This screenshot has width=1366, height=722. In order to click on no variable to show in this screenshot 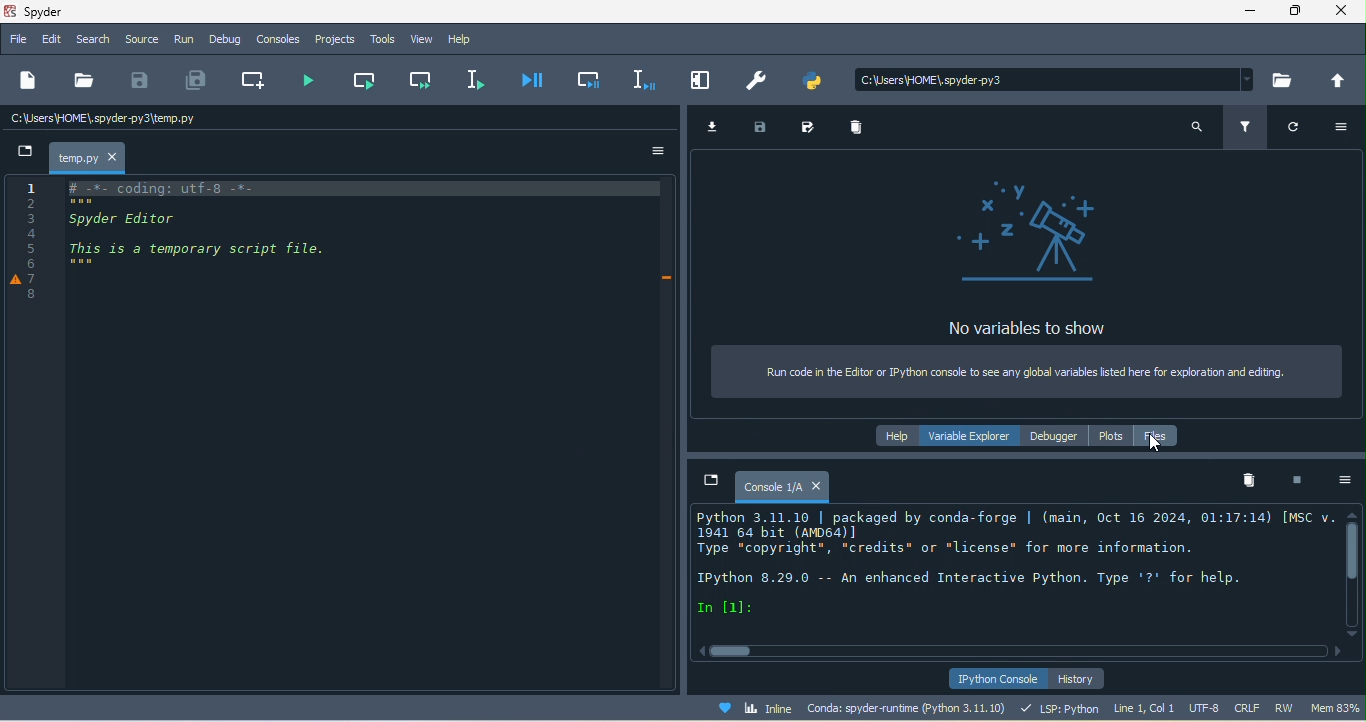, I will do `click(1025, 329)`.